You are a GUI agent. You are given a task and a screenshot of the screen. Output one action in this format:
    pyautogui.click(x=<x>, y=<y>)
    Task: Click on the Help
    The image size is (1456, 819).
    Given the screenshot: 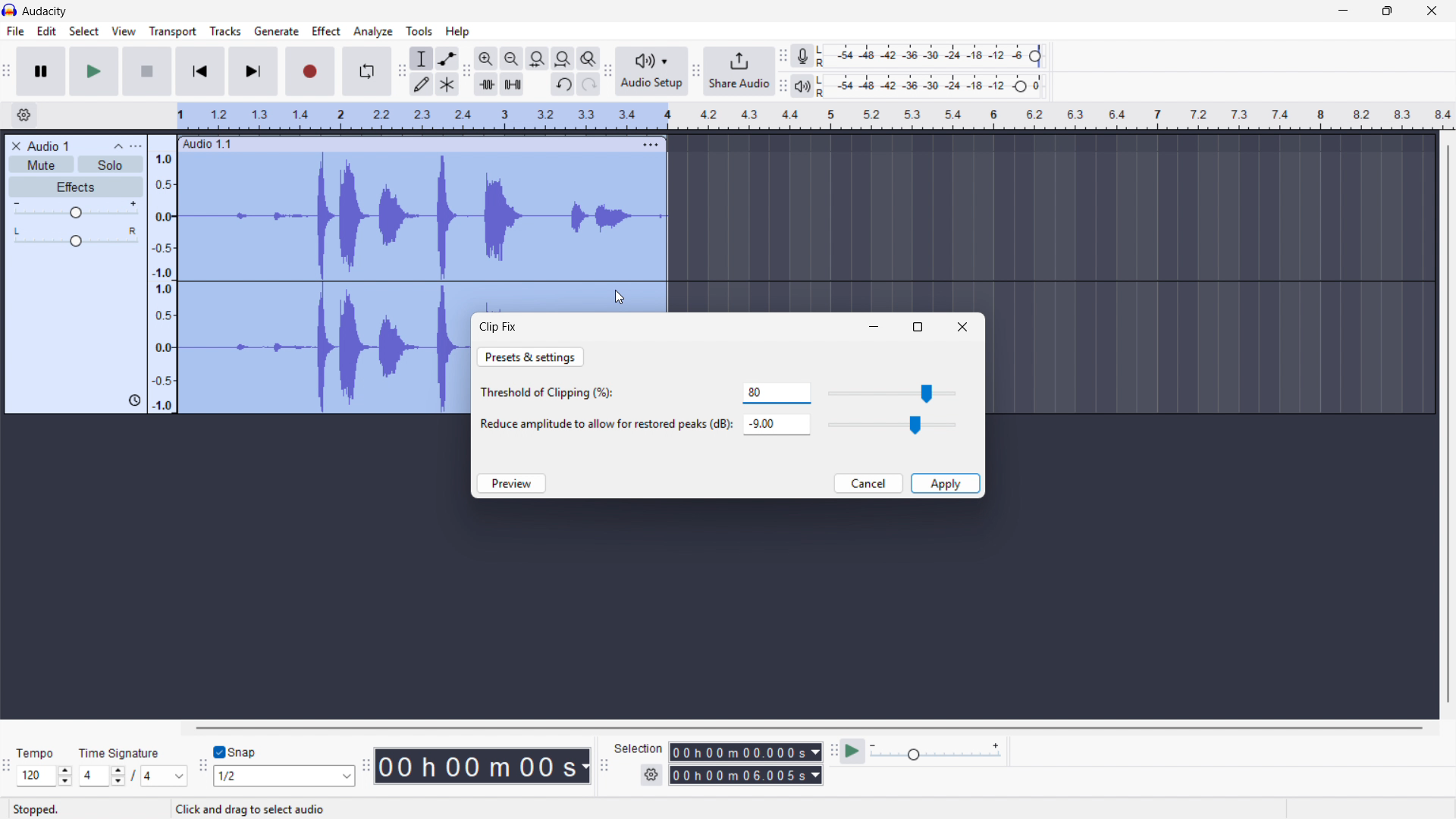 What is the action you would take?
    pyautogui.click(x=458, y=32)
    